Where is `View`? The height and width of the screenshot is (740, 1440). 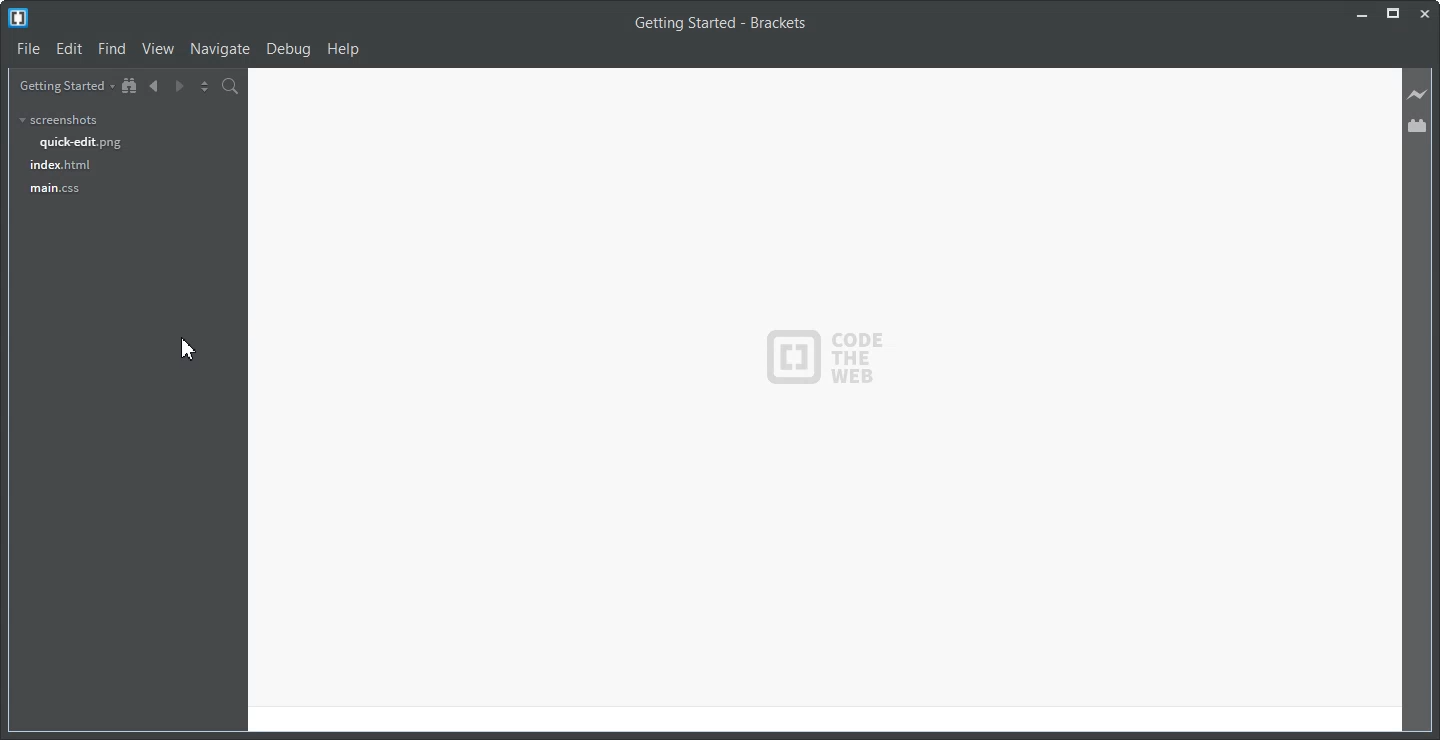
View is located at coordinates (159, 49).